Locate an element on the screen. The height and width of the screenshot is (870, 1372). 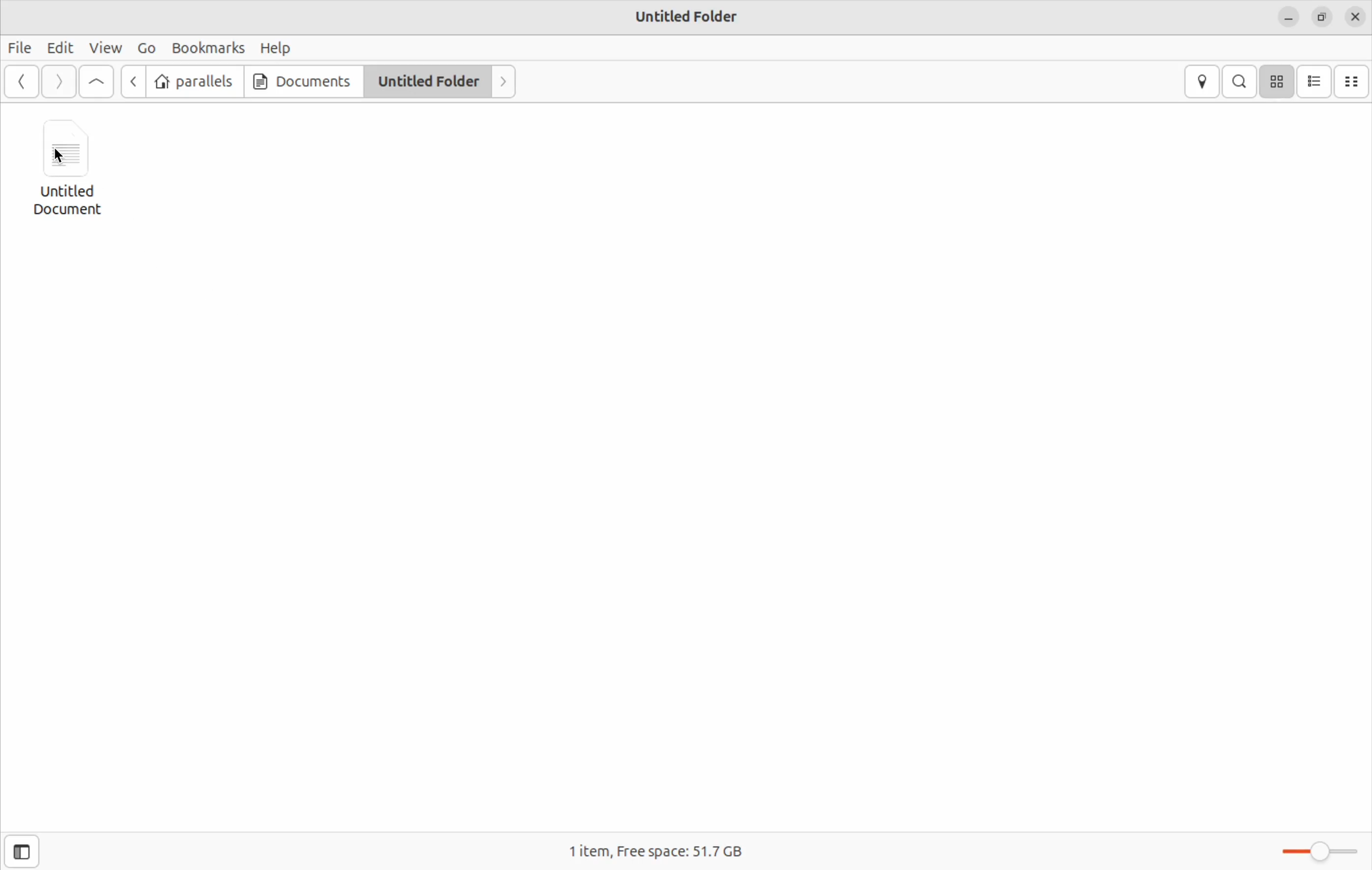
search is located at coordinates (1241, 81).